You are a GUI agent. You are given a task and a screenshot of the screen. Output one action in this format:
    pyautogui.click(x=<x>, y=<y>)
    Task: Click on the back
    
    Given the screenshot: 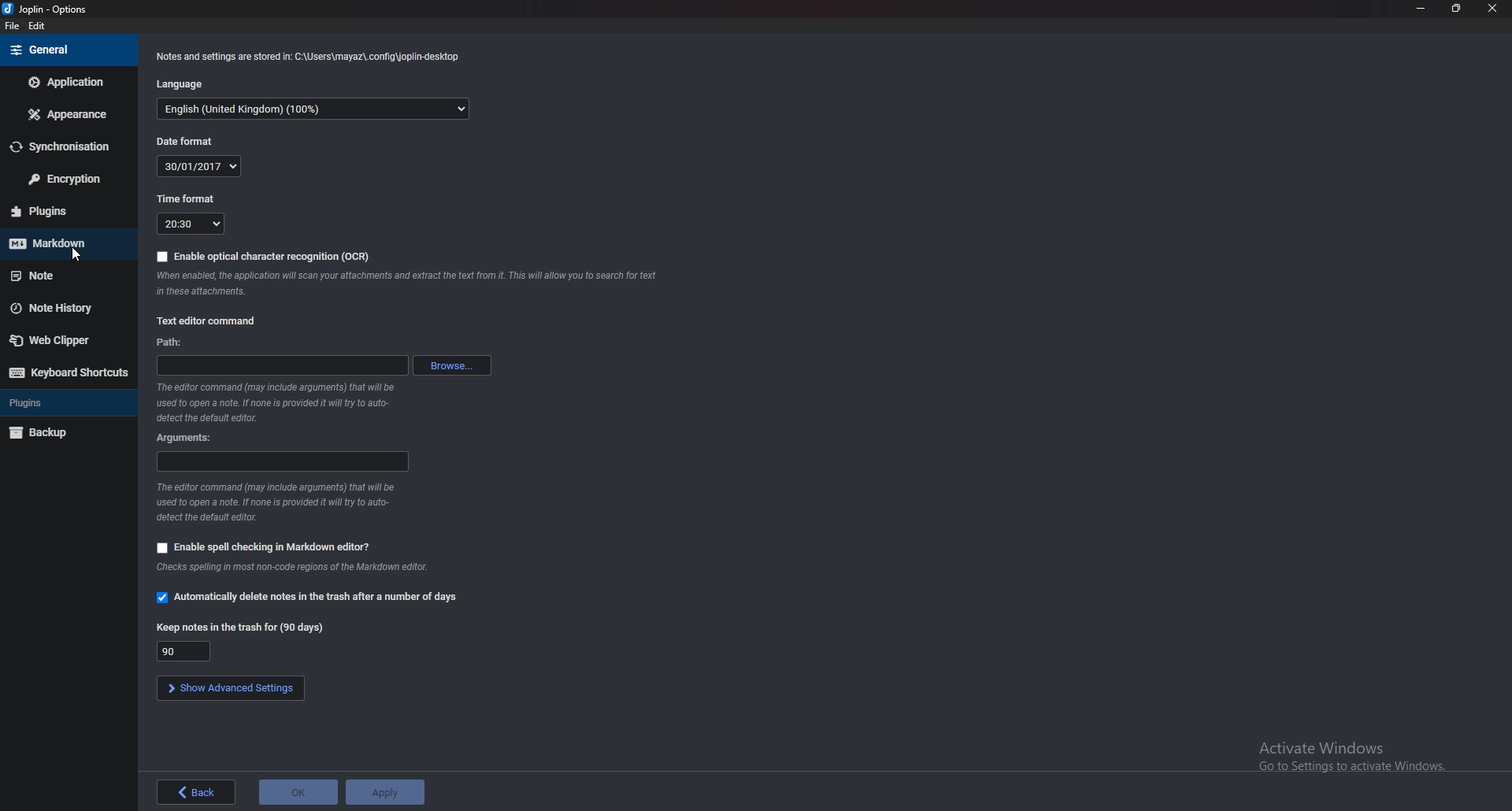 What is the action you would take?
    pyautogui.click(x=195, y=791)
    